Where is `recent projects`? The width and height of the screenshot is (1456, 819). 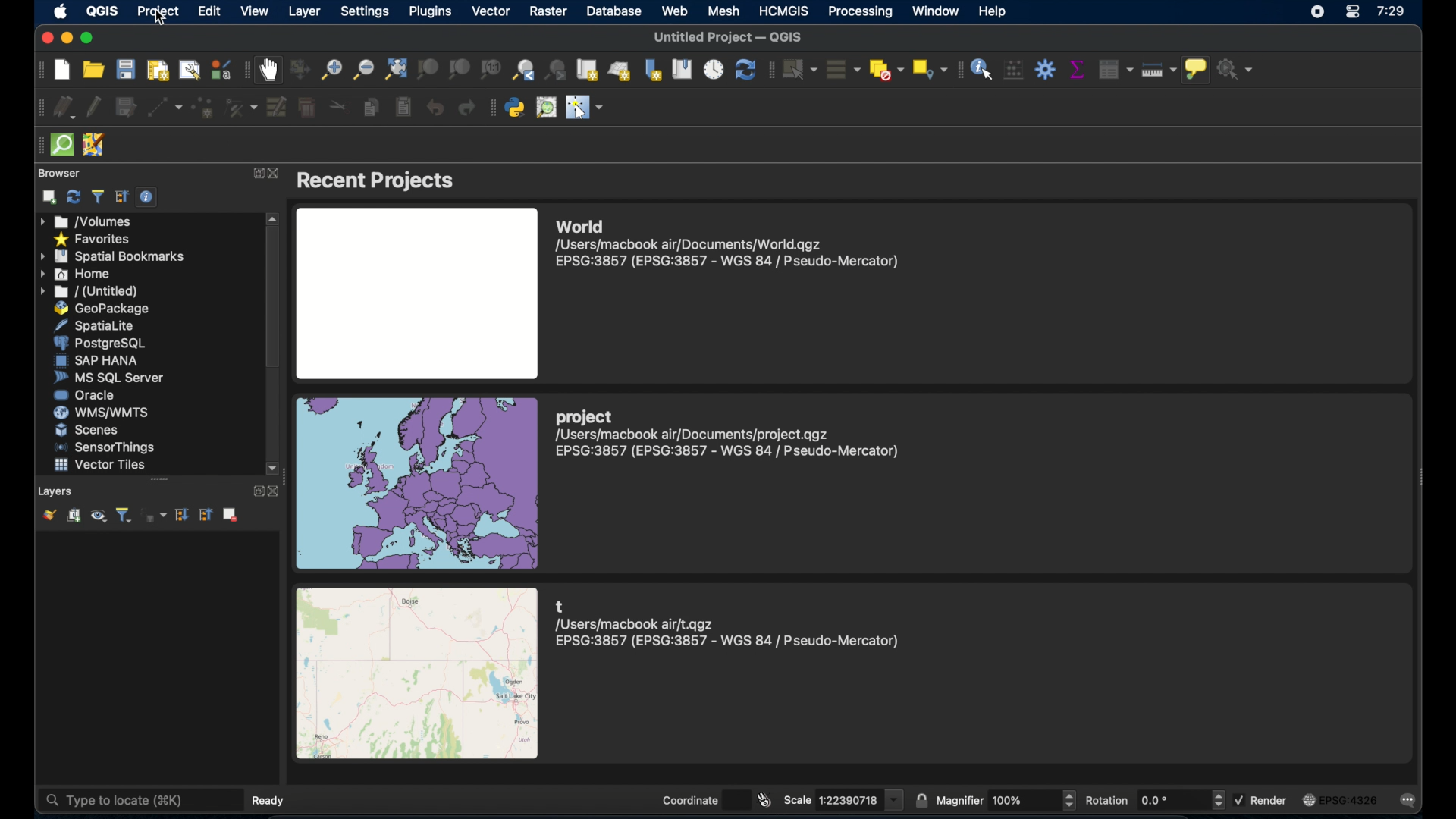 recent projects is located at coordinates (380, 180).